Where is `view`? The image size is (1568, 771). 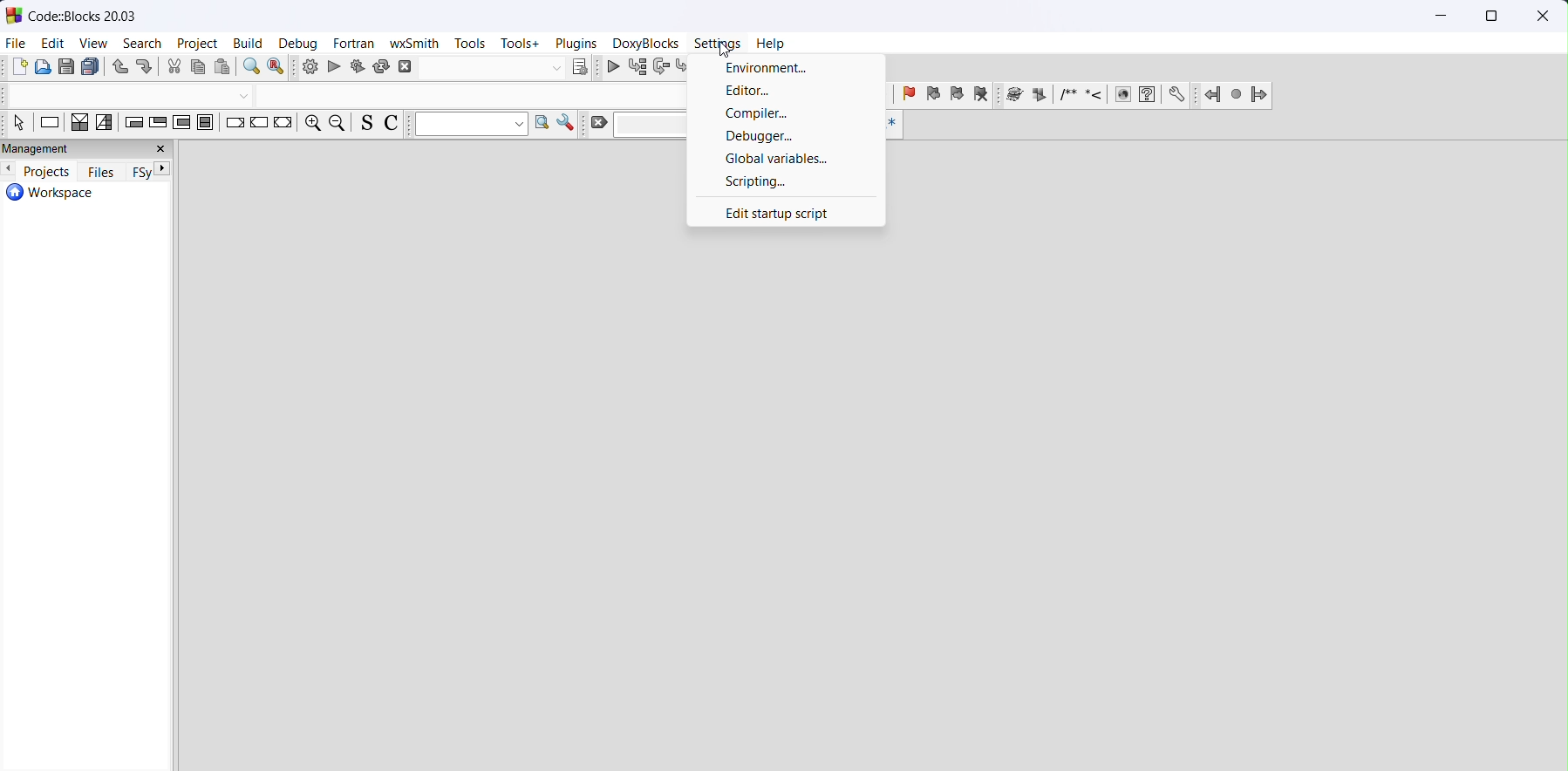
view is located at coordinates (98, 44).